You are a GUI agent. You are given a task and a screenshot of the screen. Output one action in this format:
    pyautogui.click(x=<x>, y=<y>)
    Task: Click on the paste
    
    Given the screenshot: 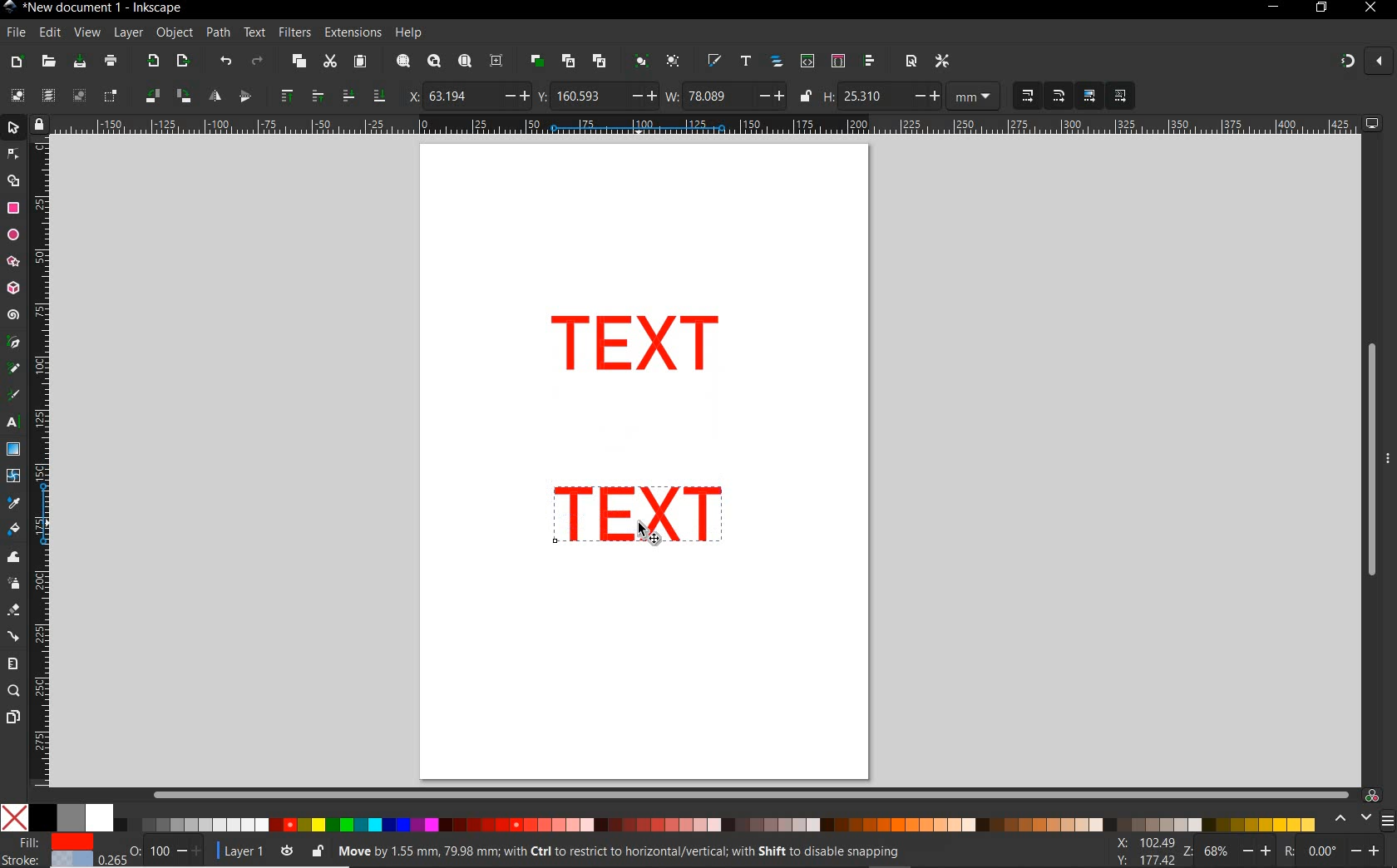 What is the action you would take?
    pyautogui.click(x=359, y=62)
    